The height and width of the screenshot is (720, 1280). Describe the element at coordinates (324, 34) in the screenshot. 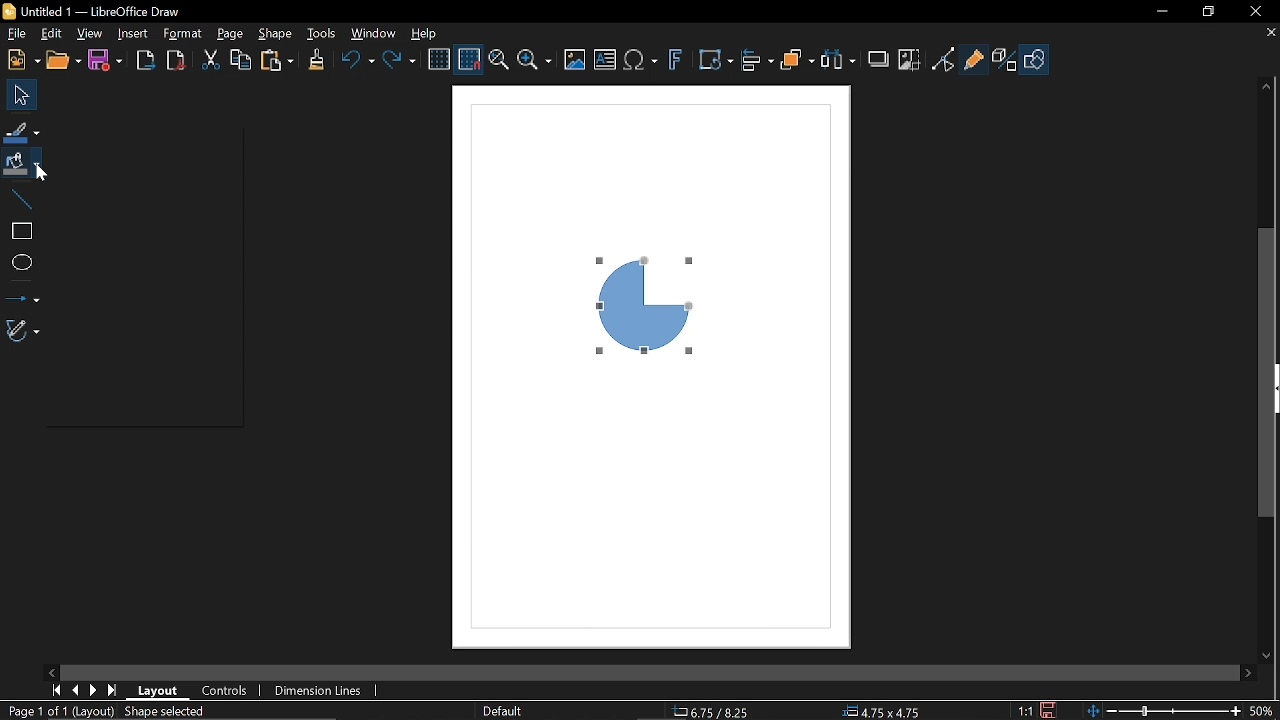

I see `Tools` at that location.